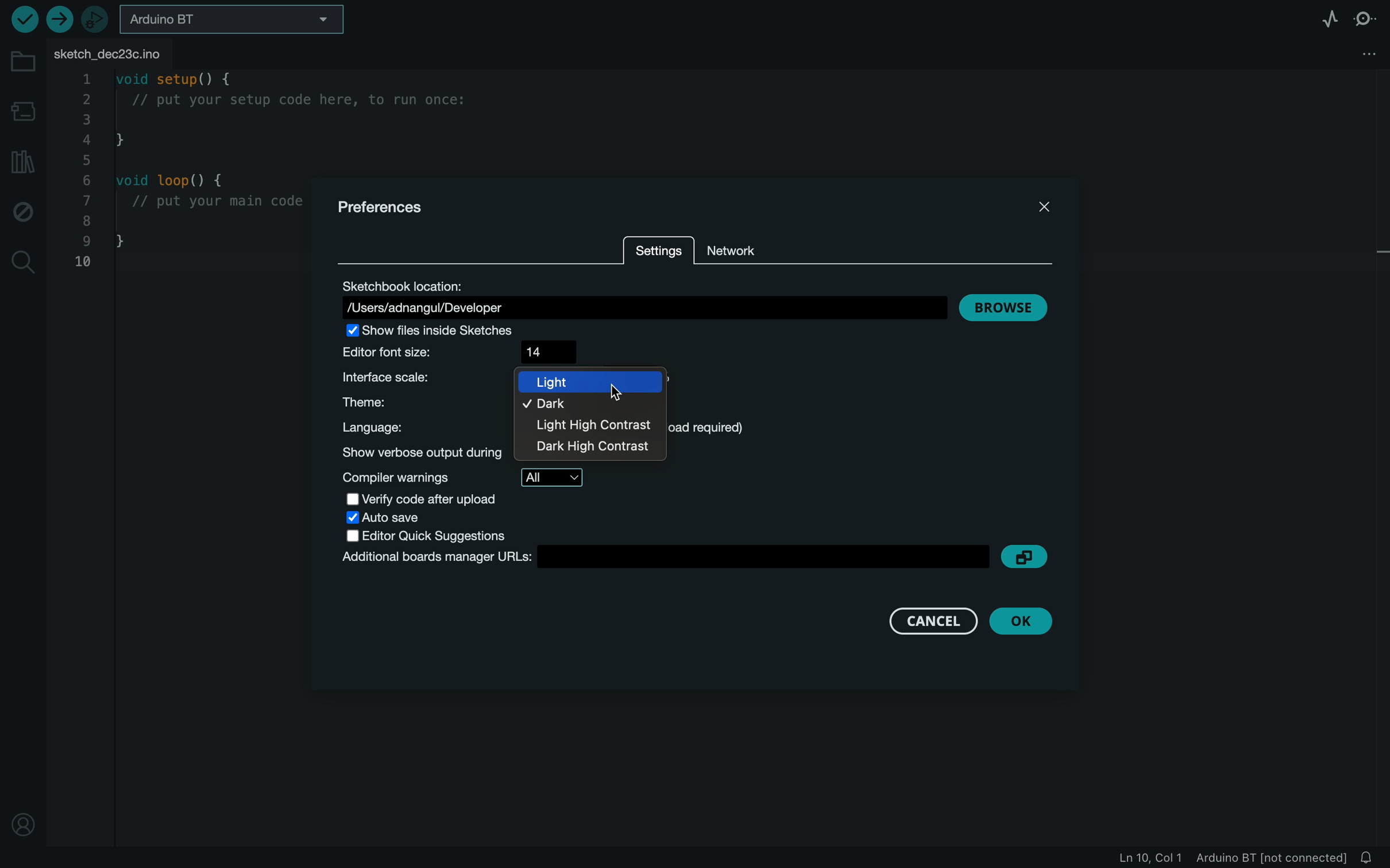  I want to click on board manager, so click(665, 557).